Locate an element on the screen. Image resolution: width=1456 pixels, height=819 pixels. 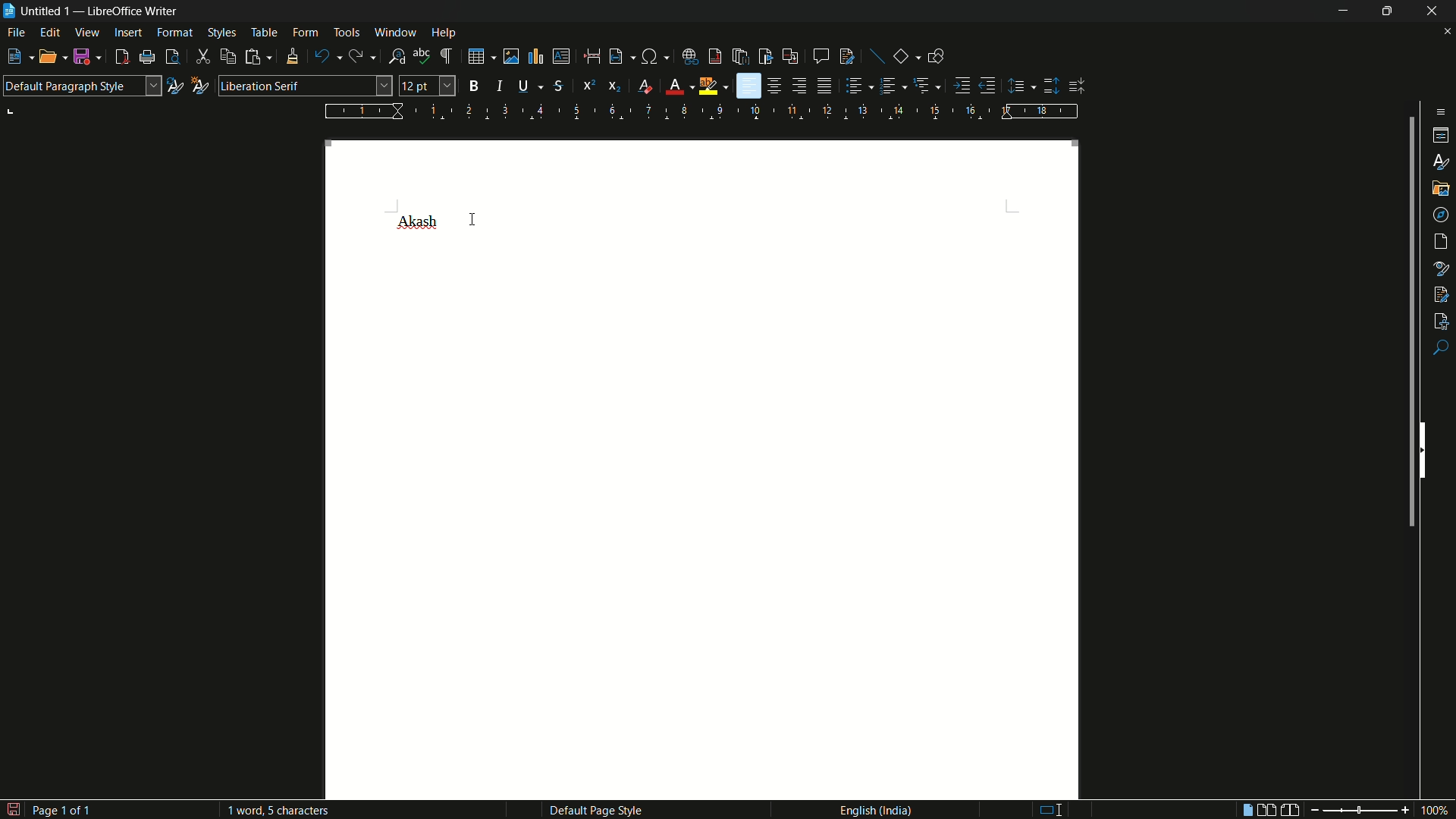
increase indentation is located at coordinates (964, 85).